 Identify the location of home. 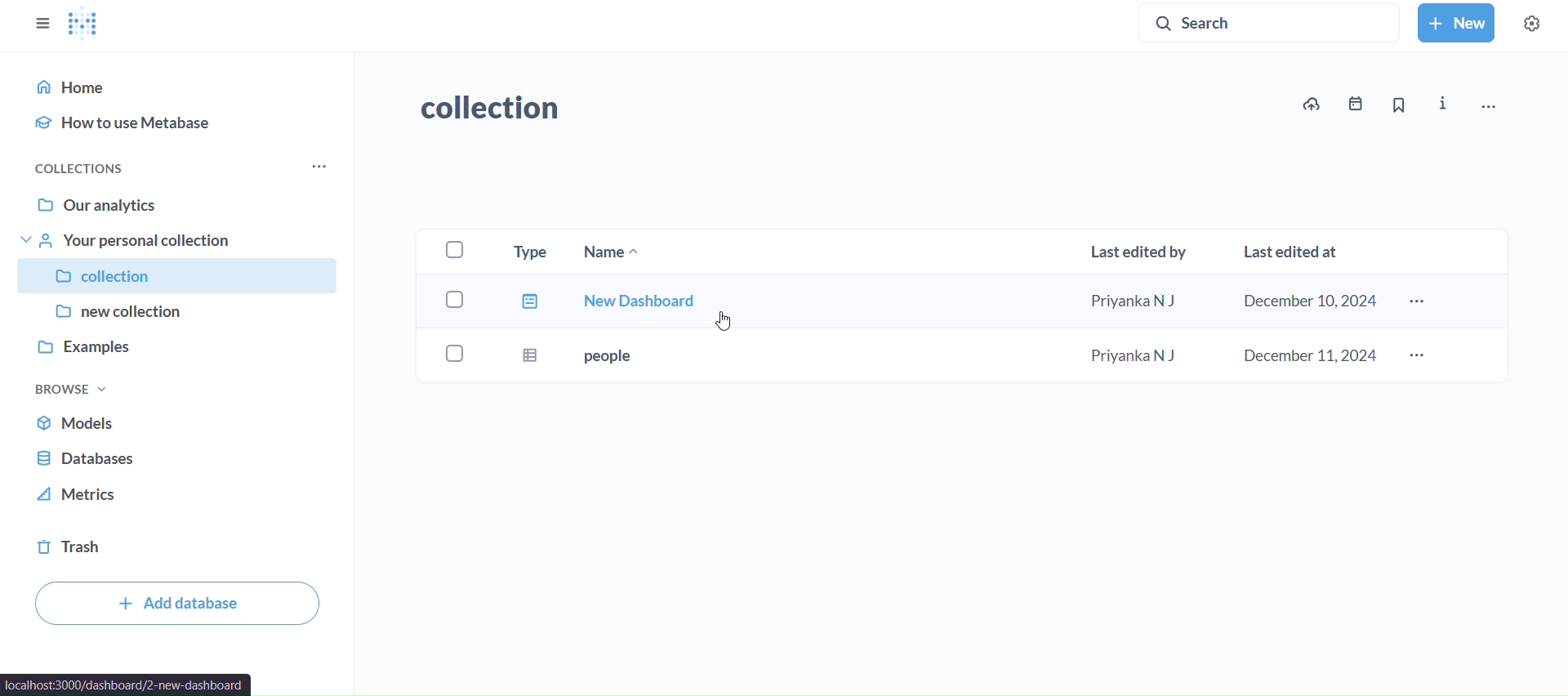
(181, 84).